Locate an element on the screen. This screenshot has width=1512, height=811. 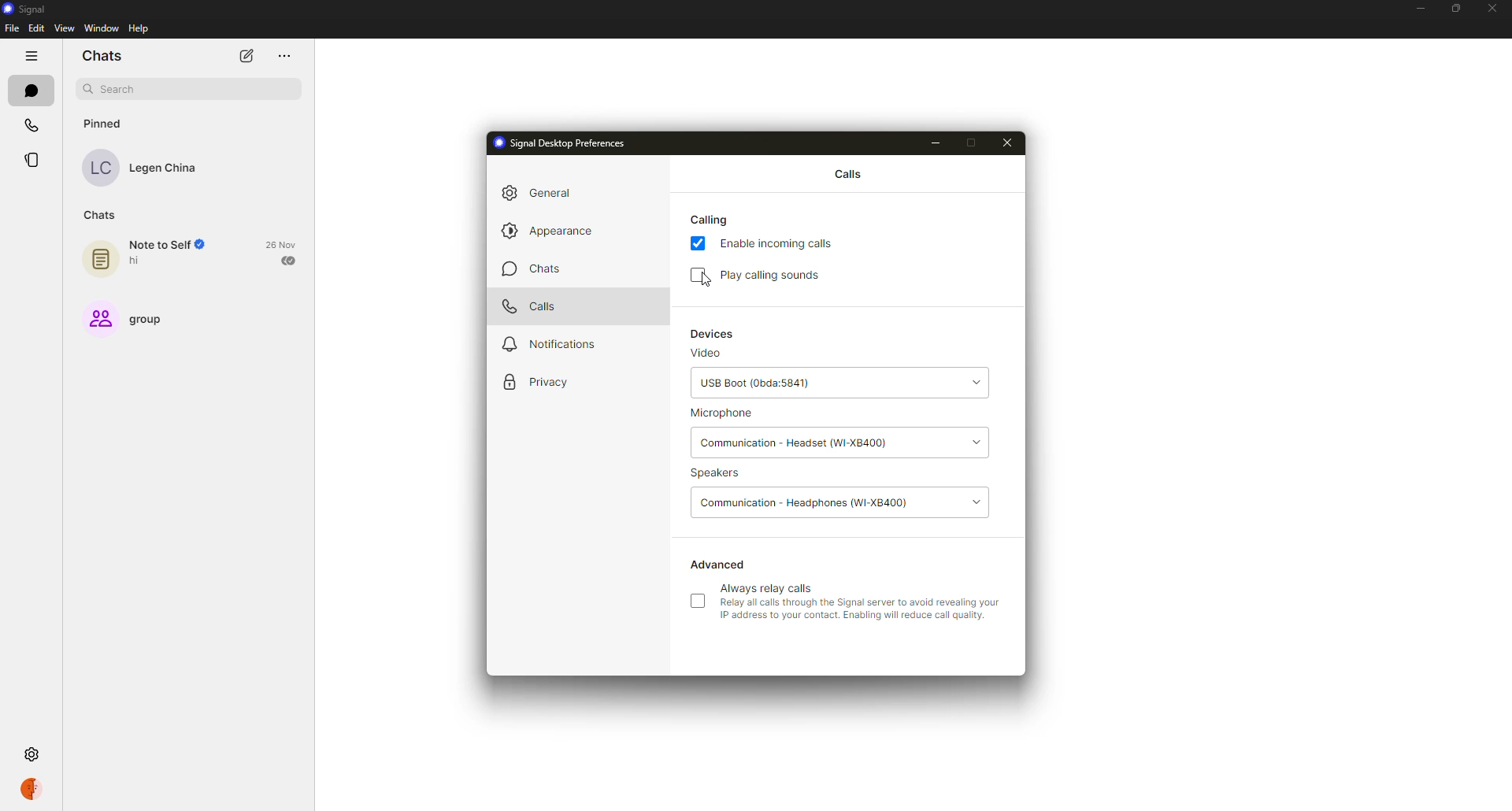
pinned is located at coordinates (106, 124).